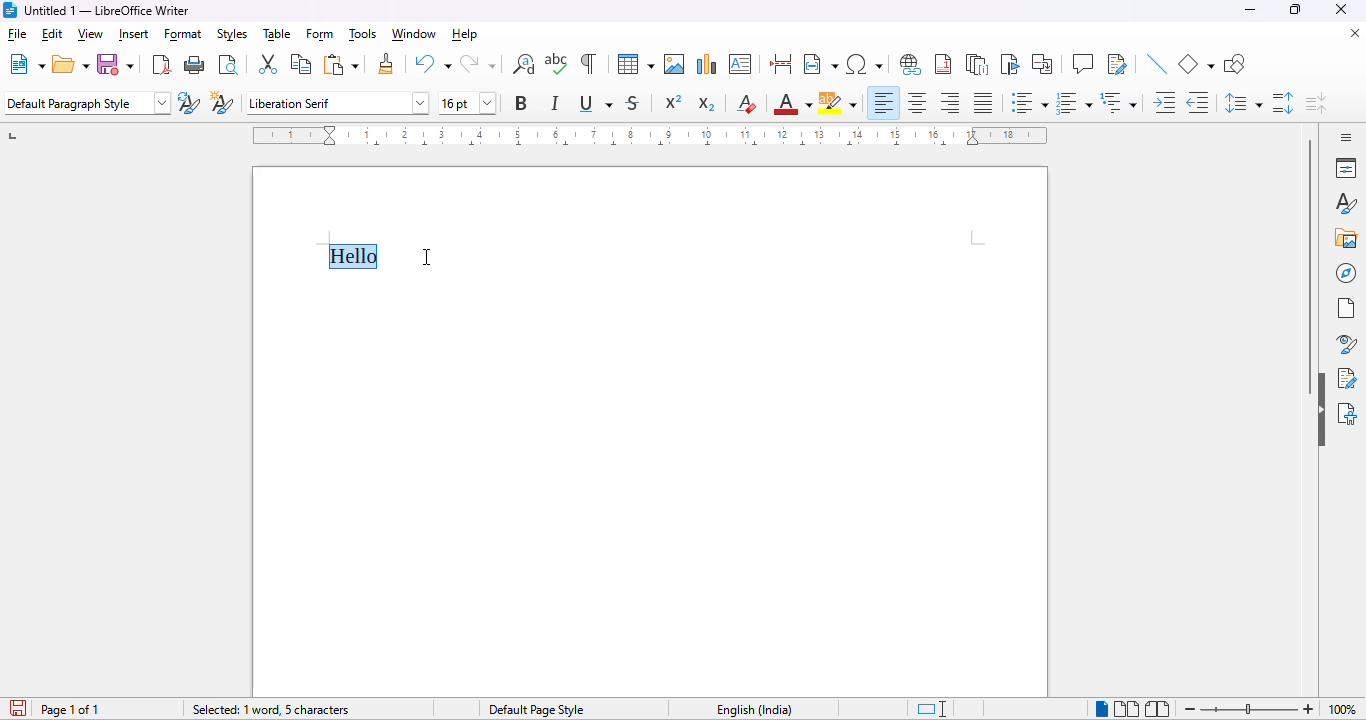 Image resolution: width=1366 pixels, height=720 pixels. What do you see at coordinates (1321, 409) in the screenshot?
I see `hide` at bounding box center [1321, 409].